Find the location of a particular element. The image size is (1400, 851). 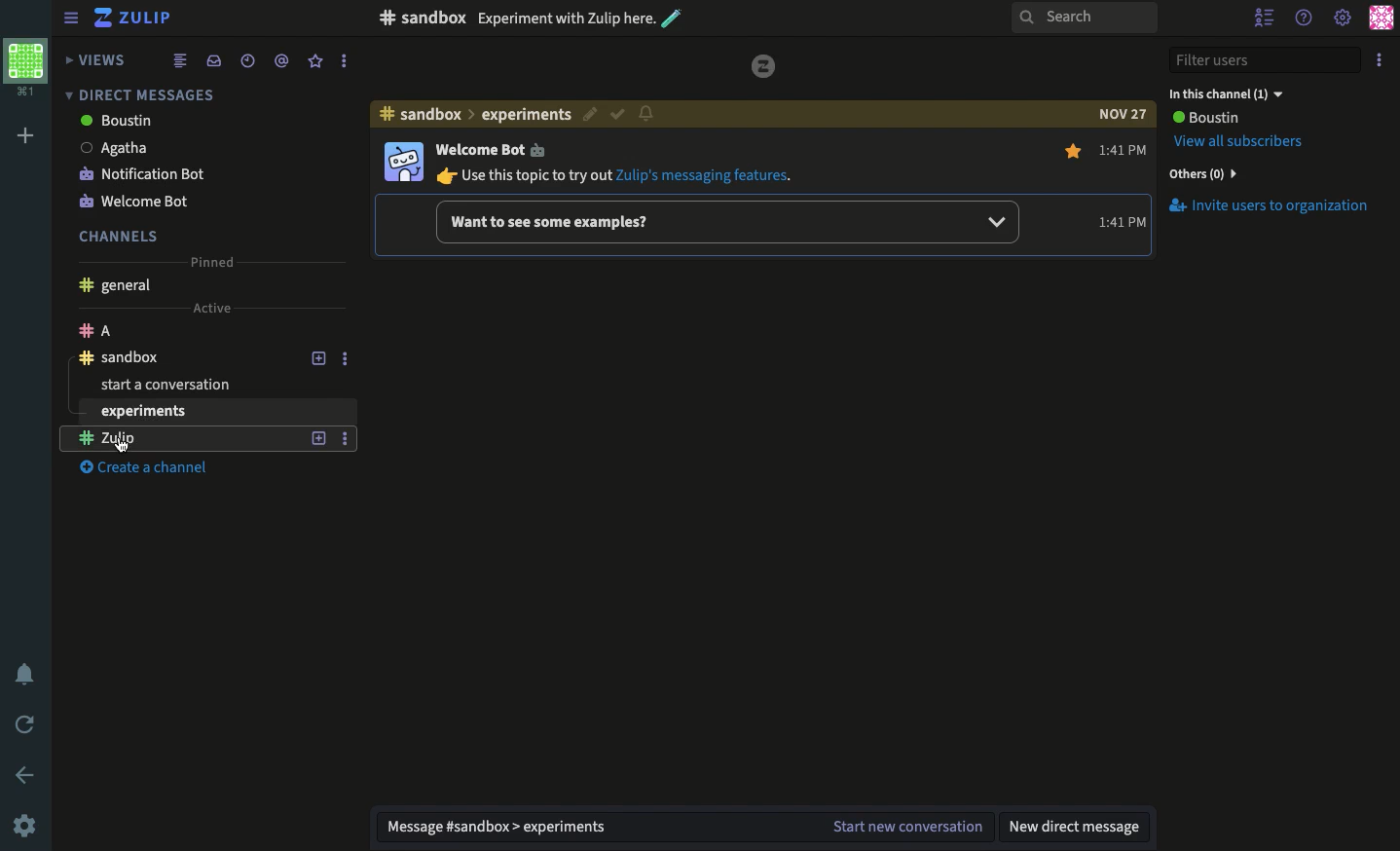

Tag is located at coordinates (281, 59).